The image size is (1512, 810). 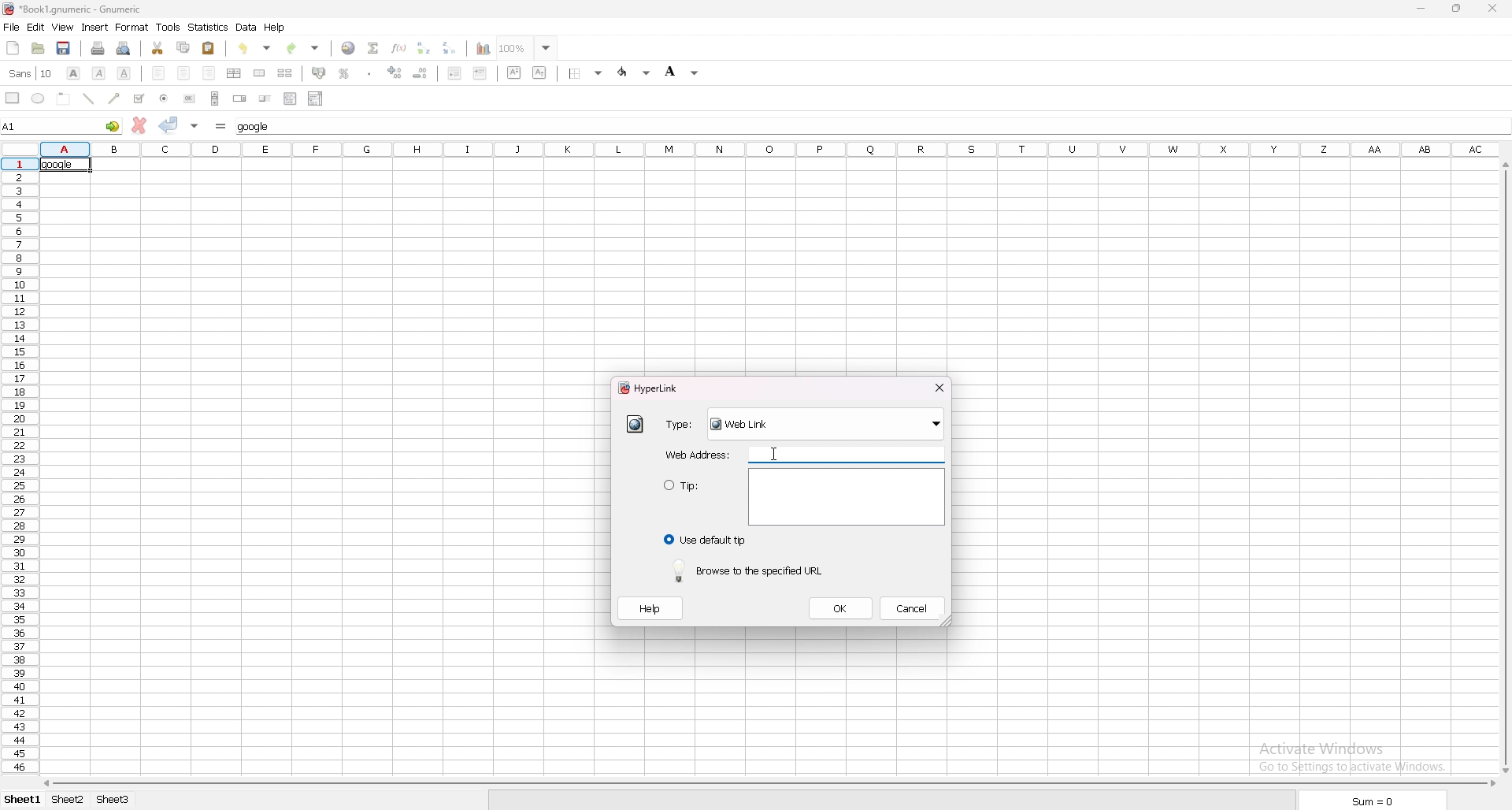 What do you see at coordinates (1346, 748) in the screenshot?
I see `Activate windows Go to settings to activate windows` at bounding box center [1346, 748].